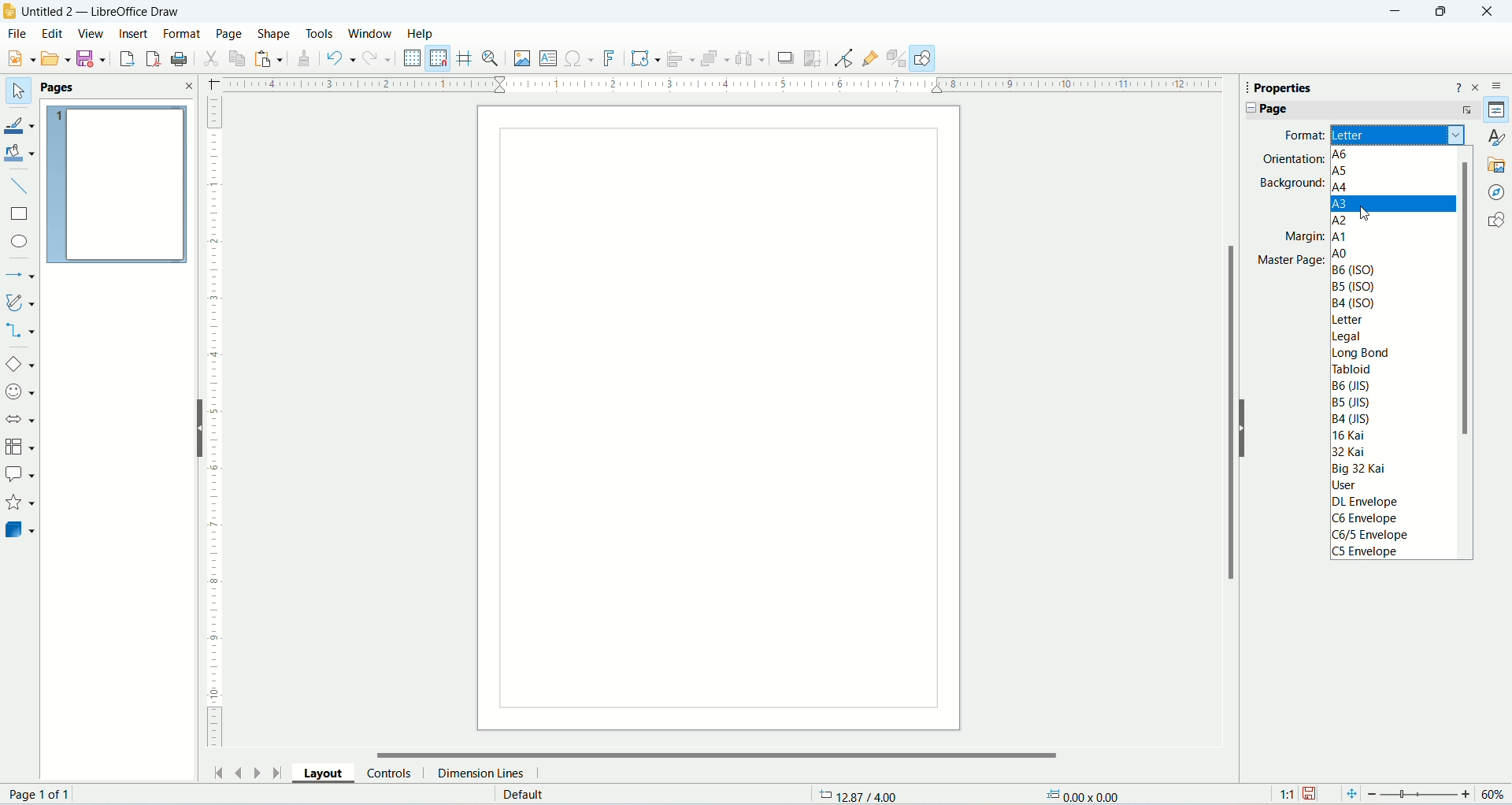  Describe the element at coordinates (645, 59) in the screenshot. I see `transformation` at that location.